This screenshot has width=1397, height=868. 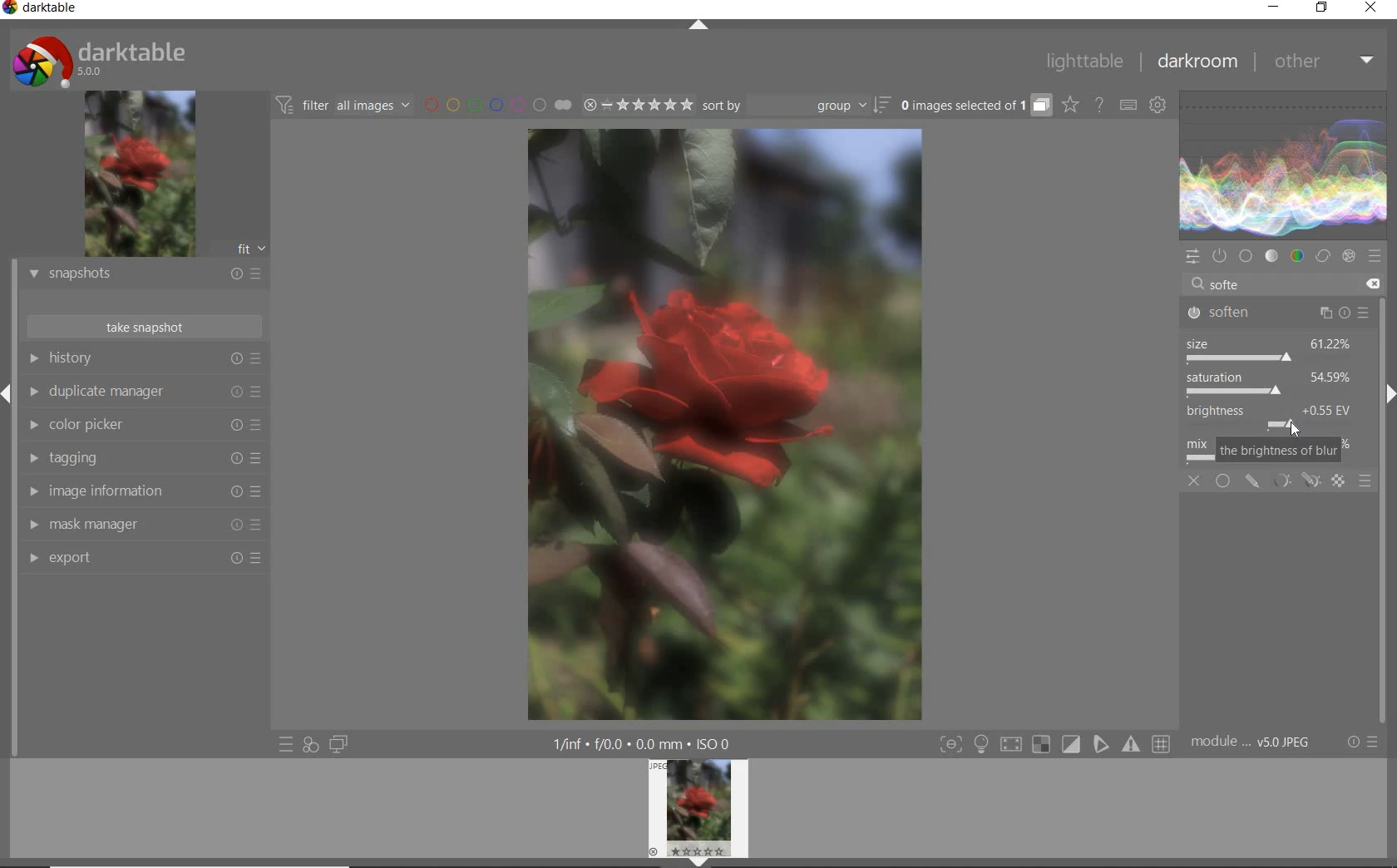 I want to click on size adjusted, so click(x=1271, y=350).